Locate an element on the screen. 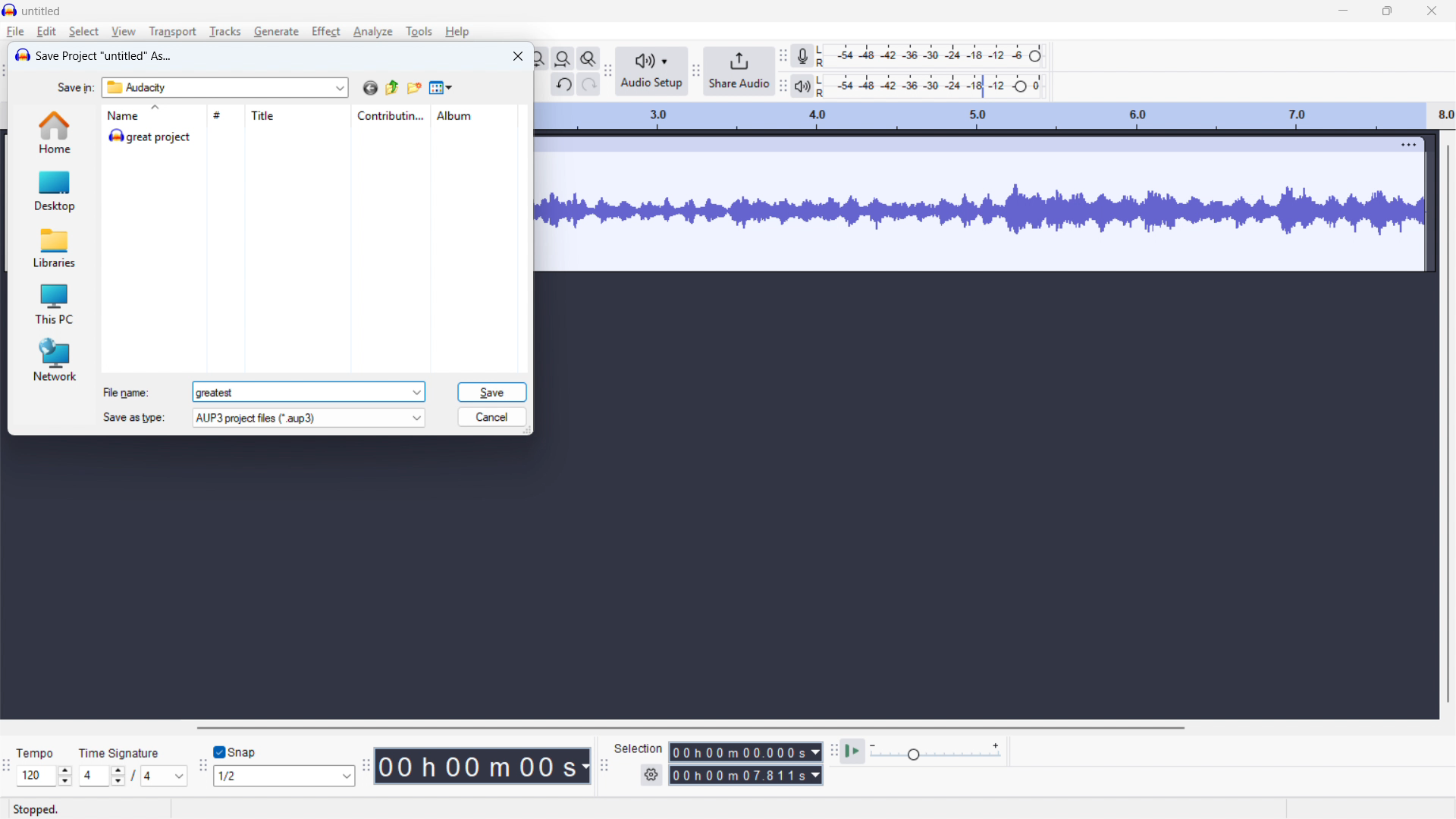 Image resolution: width=1456 pixels, height=819 pixels. set snapping is located at coordinates (284, 777).